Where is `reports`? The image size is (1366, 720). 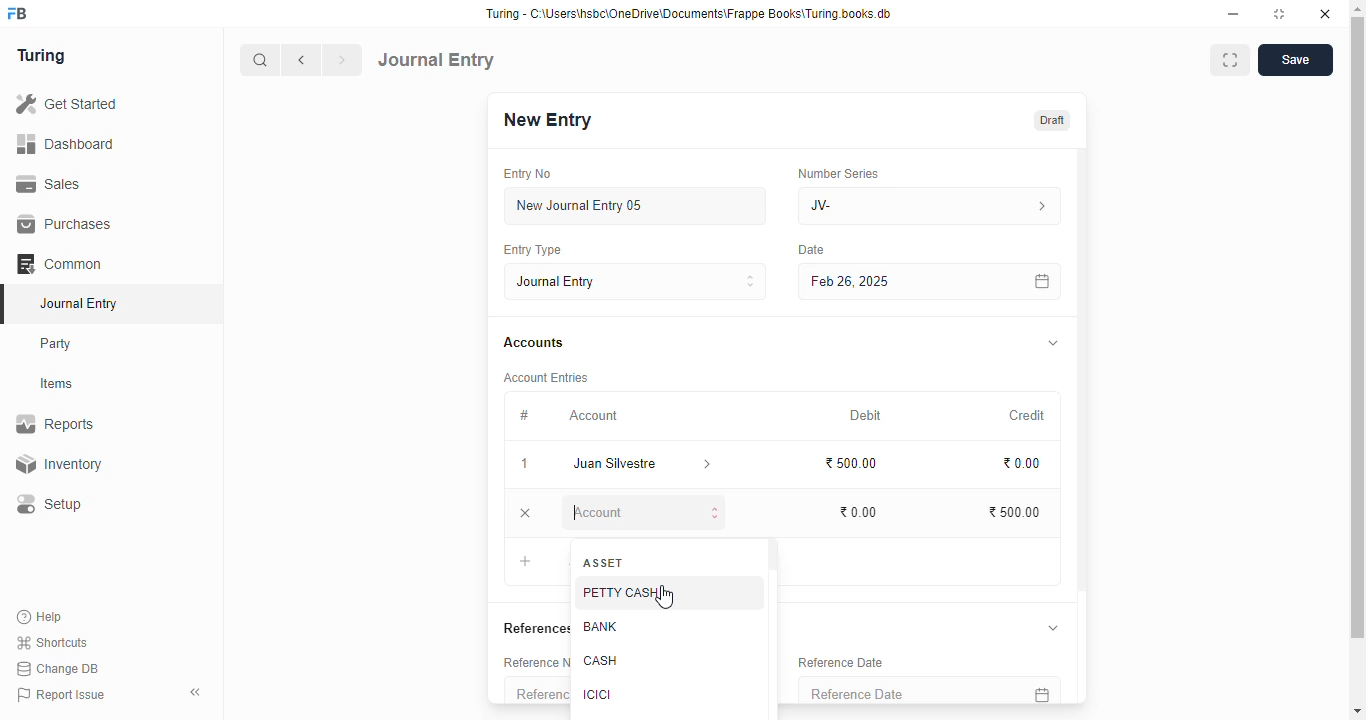
reports is located at coordinates (56, 424).